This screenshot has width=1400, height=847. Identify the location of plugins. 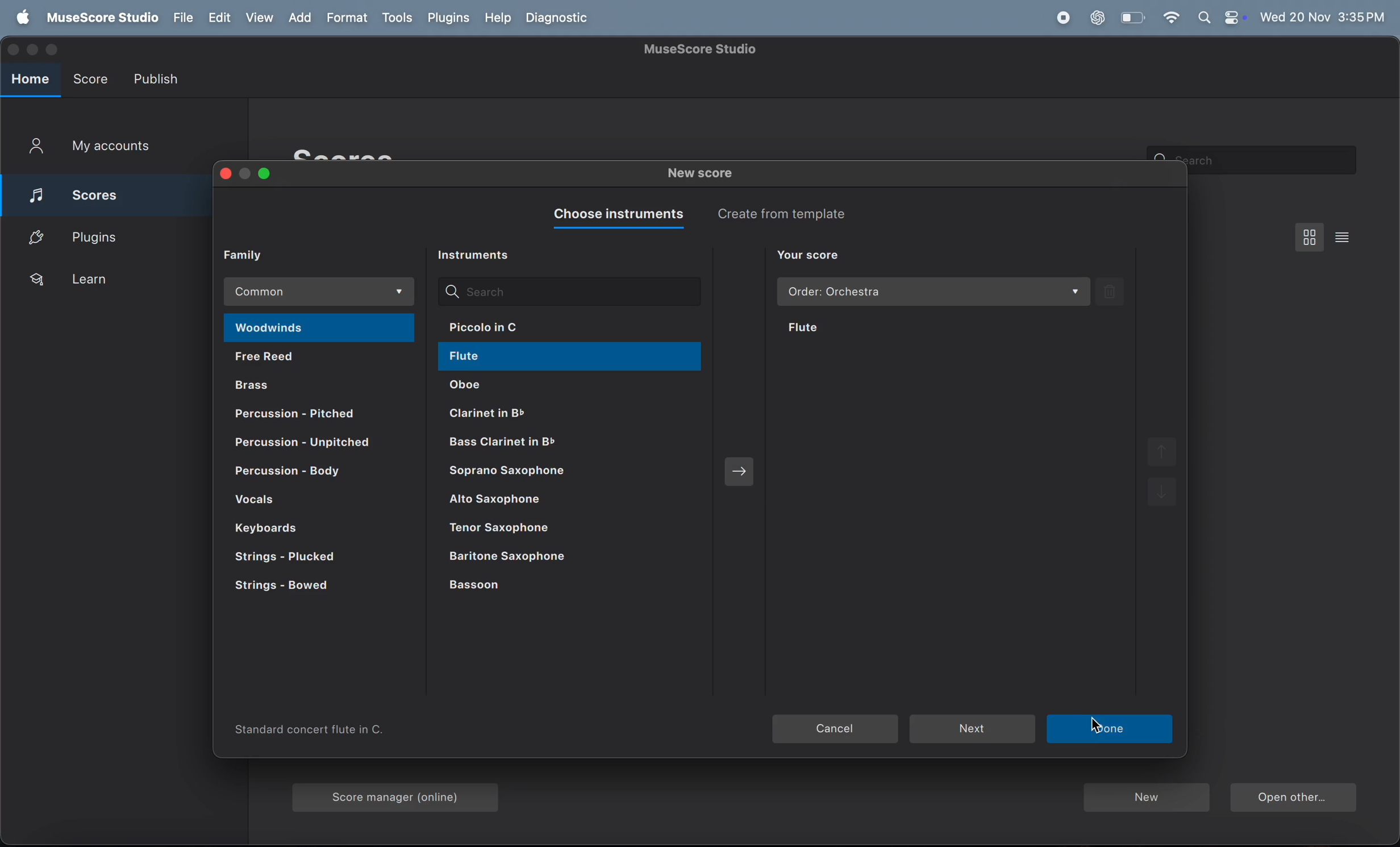
(448, 18).